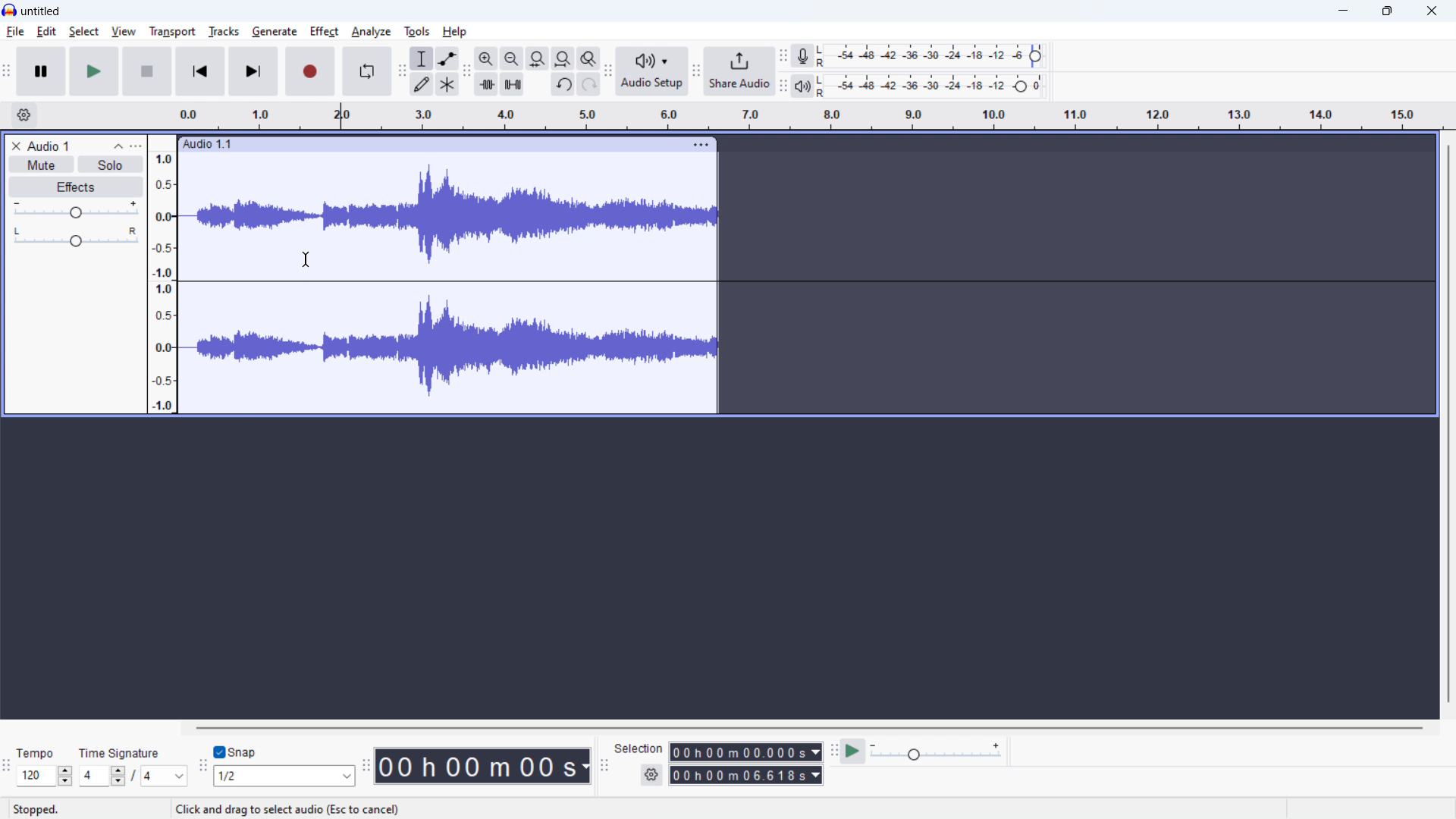 Image resolution: width=1456 pixels, height=819 pixels. What do you see at coordinates (746, 776) in the screenshot?
I see `end time` at bounding box center [746, 776].